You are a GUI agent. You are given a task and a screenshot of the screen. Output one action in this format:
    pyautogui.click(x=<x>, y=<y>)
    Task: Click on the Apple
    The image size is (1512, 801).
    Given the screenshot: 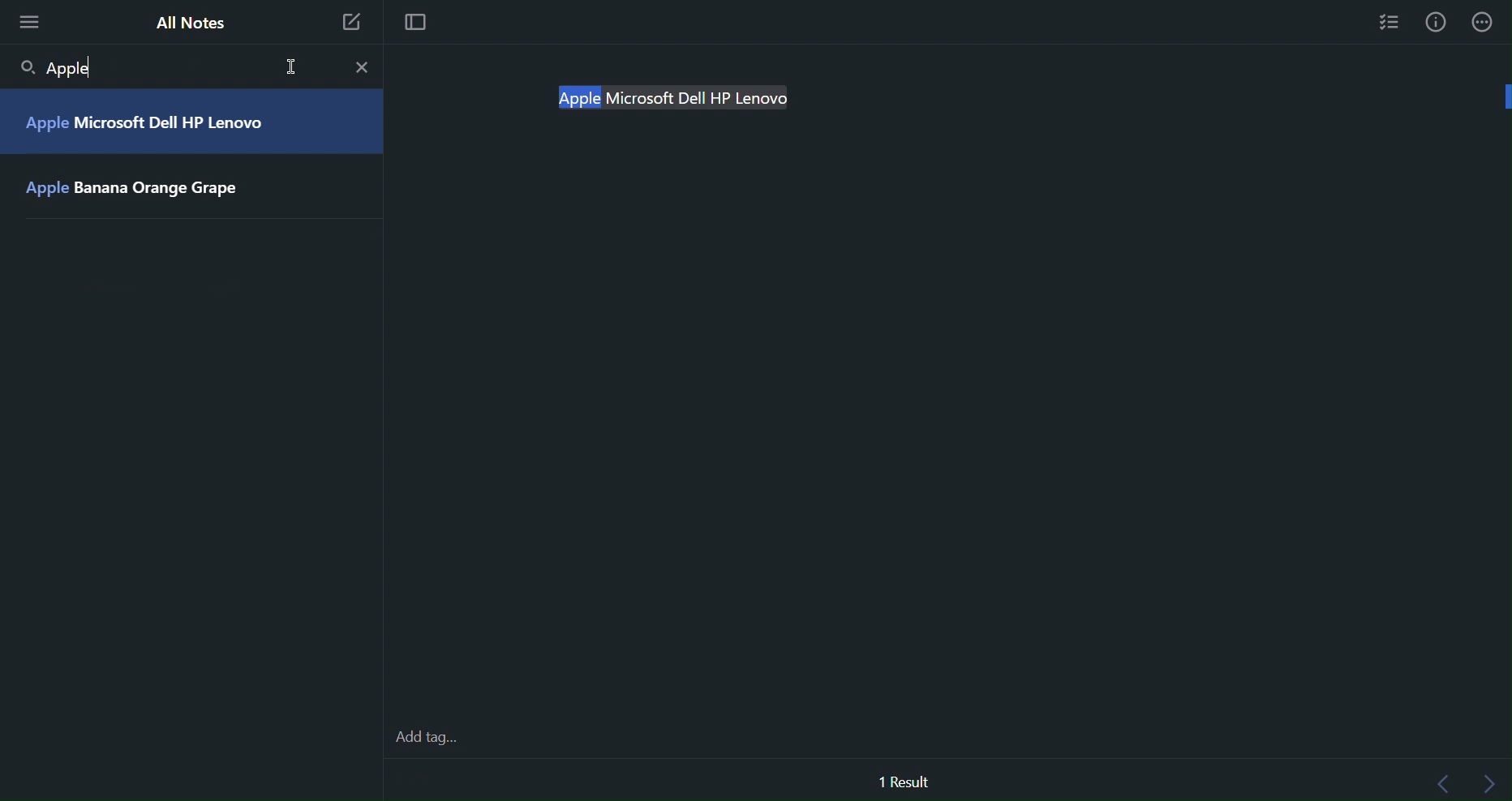 What is the action you would take?
    pyautogui.click(x=58, y=66)
    